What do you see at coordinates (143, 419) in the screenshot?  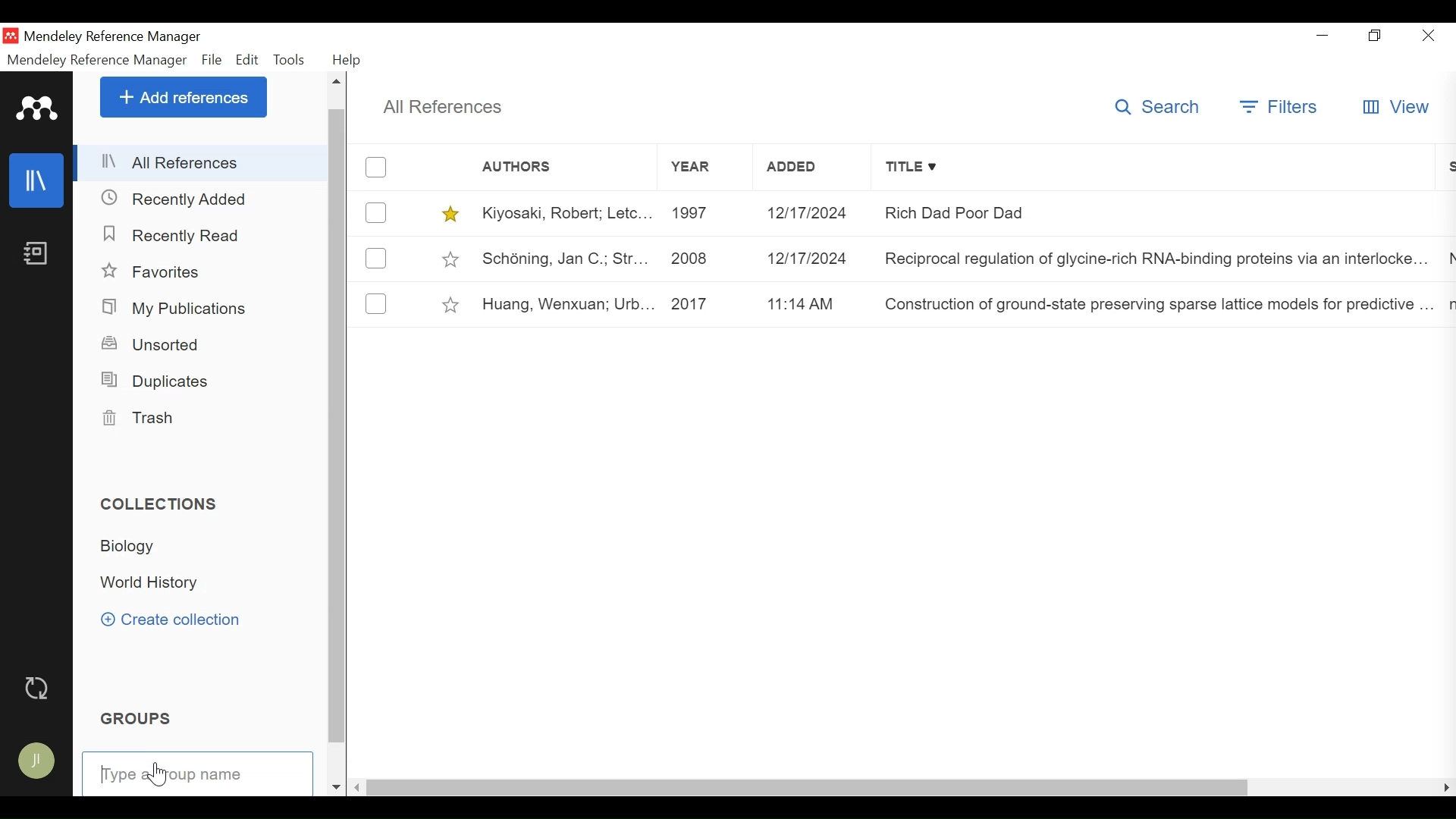 I see `Trash` at bounding box center [143, 419].